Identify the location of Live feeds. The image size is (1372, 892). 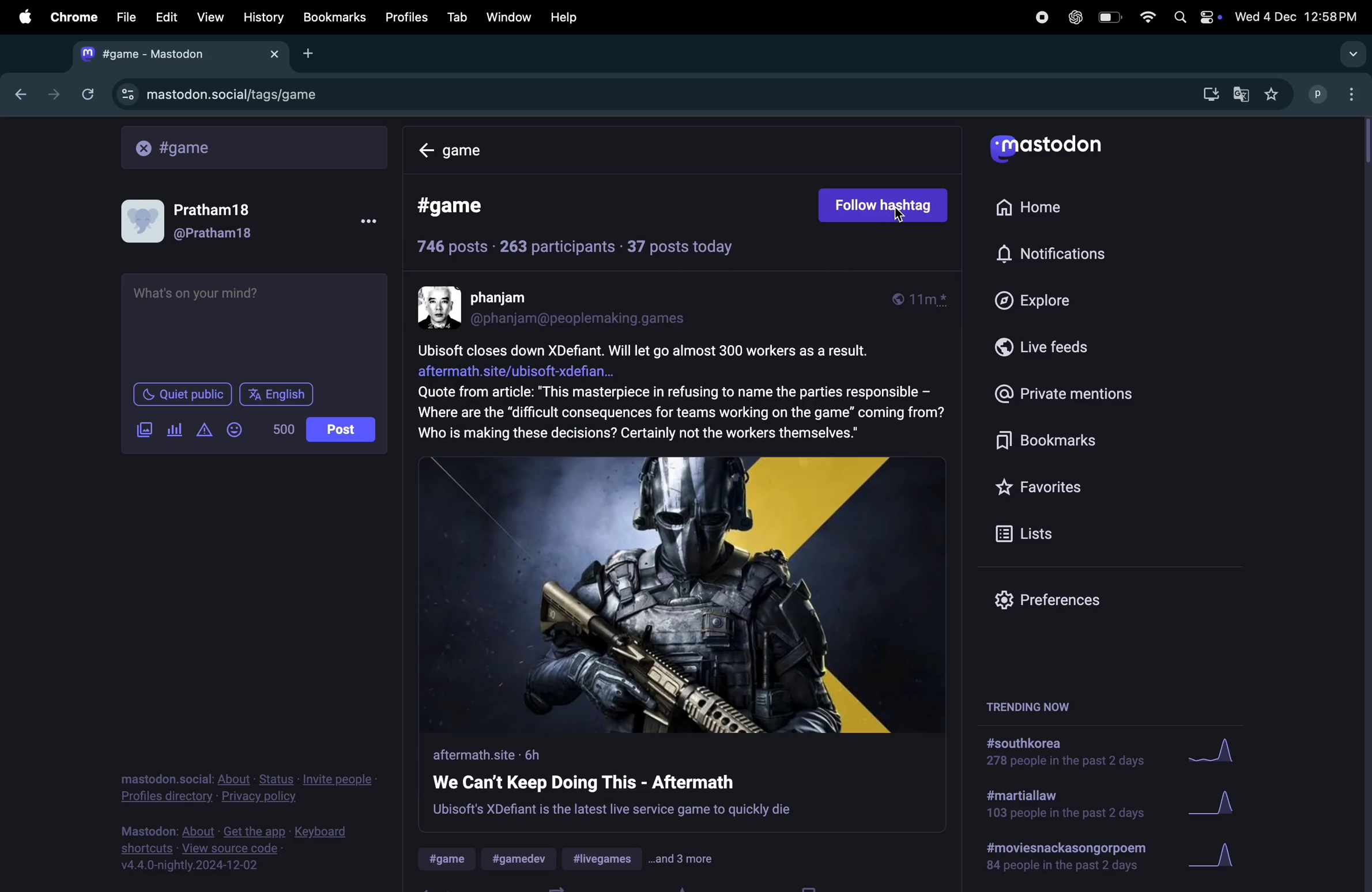
(1066, 351).